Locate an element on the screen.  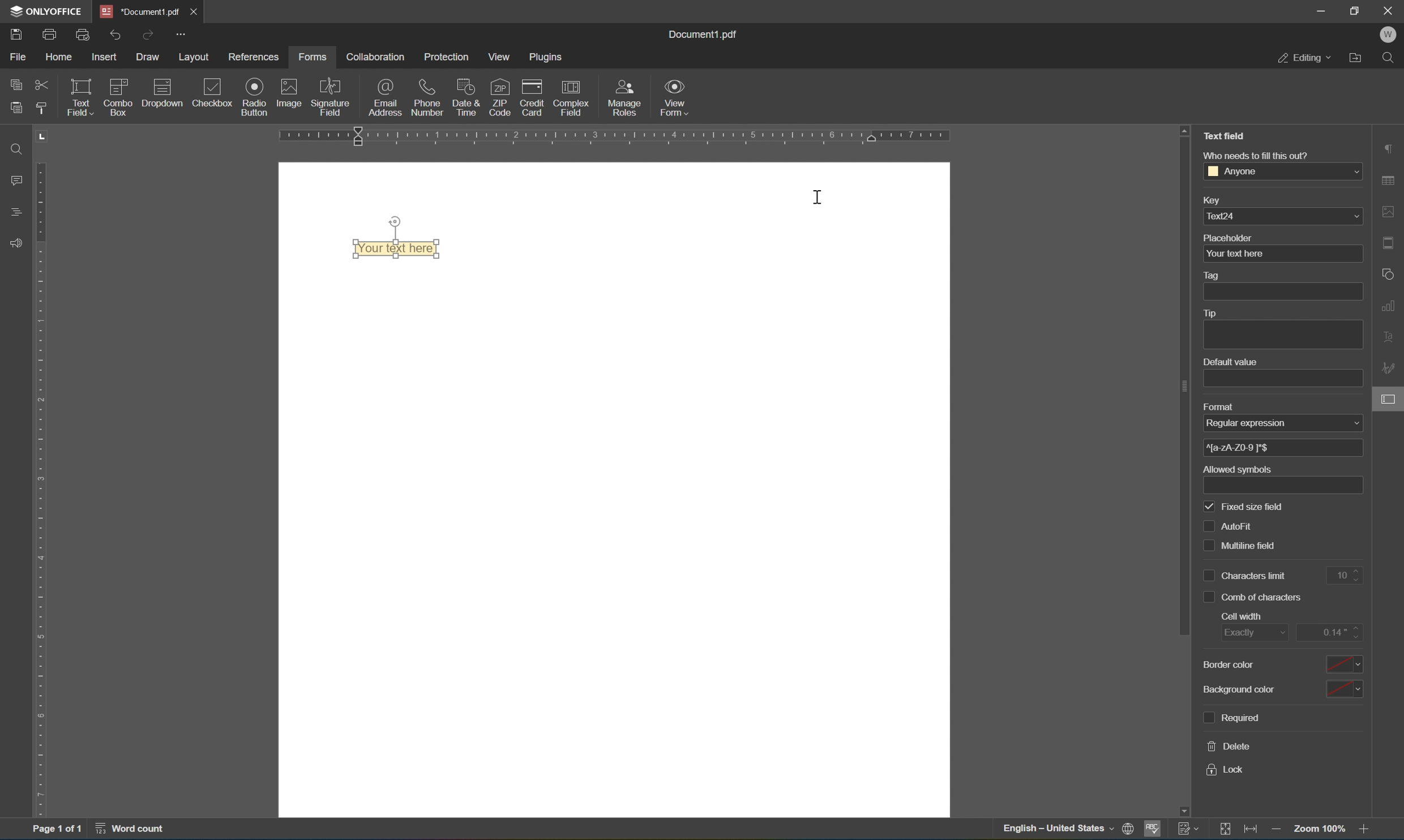
layout is located at coordinates (196, 58).